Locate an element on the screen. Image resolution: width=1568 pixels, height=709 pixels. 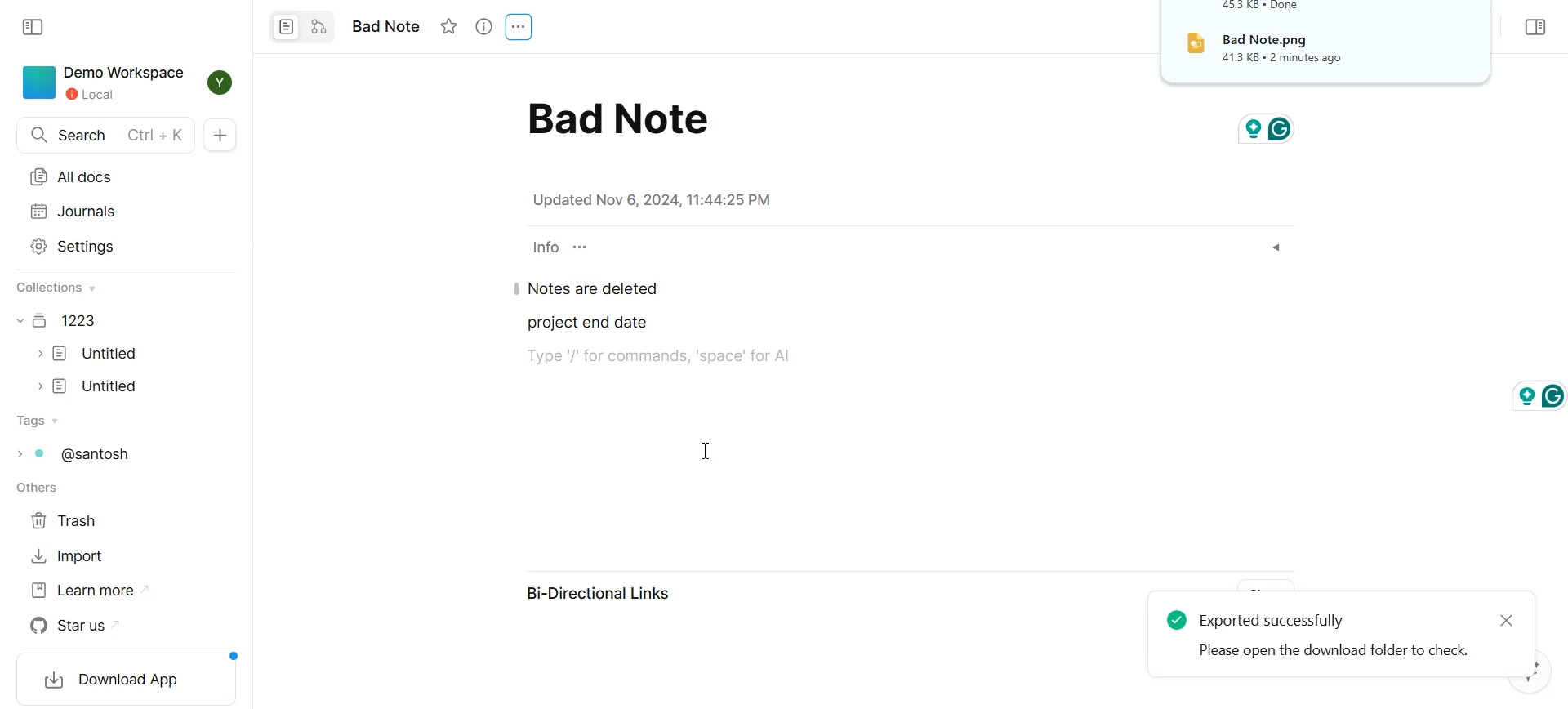
Tags is located at coordinates (37, 421).